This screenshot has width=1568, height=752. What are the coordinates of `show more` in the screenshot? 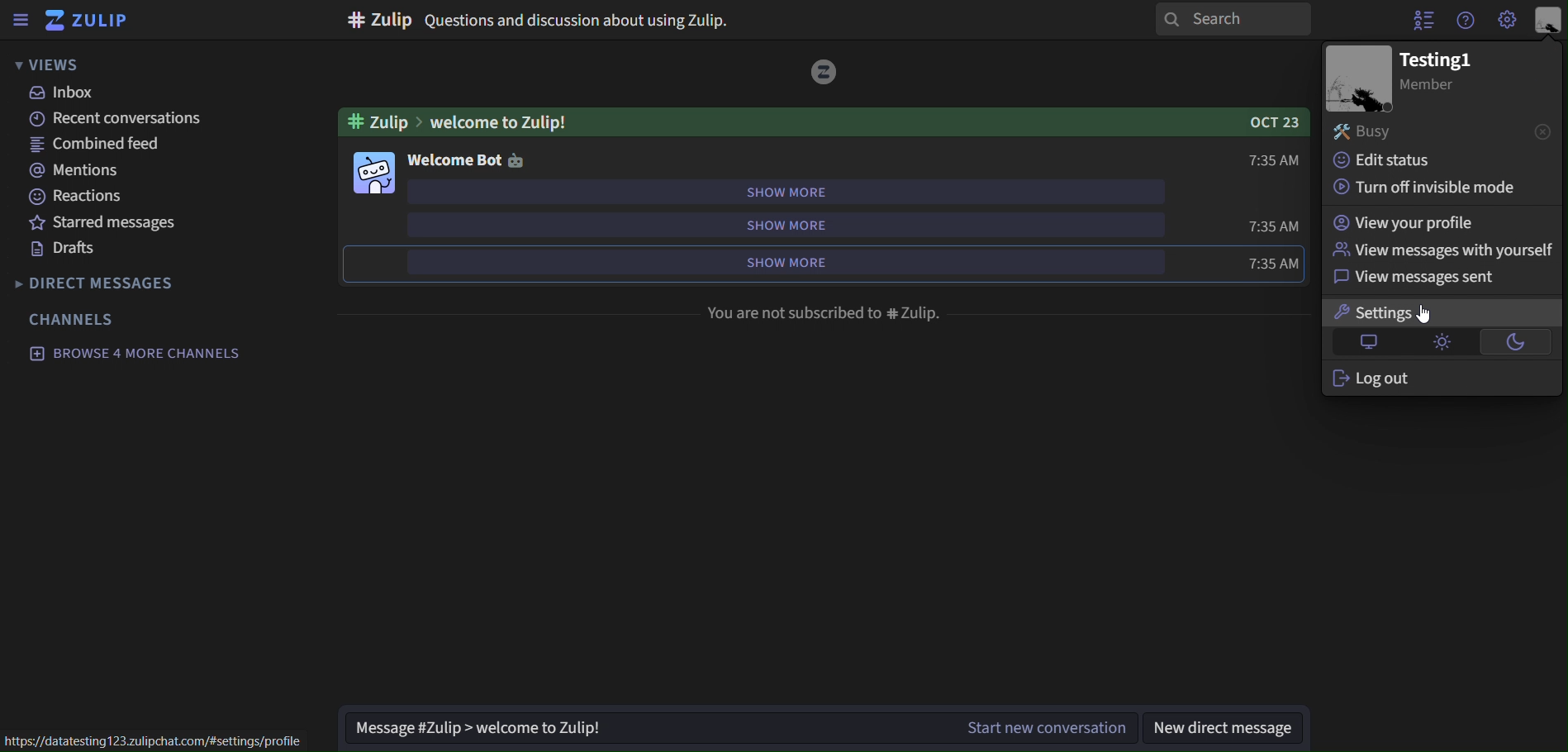 It's located at (788, 226).